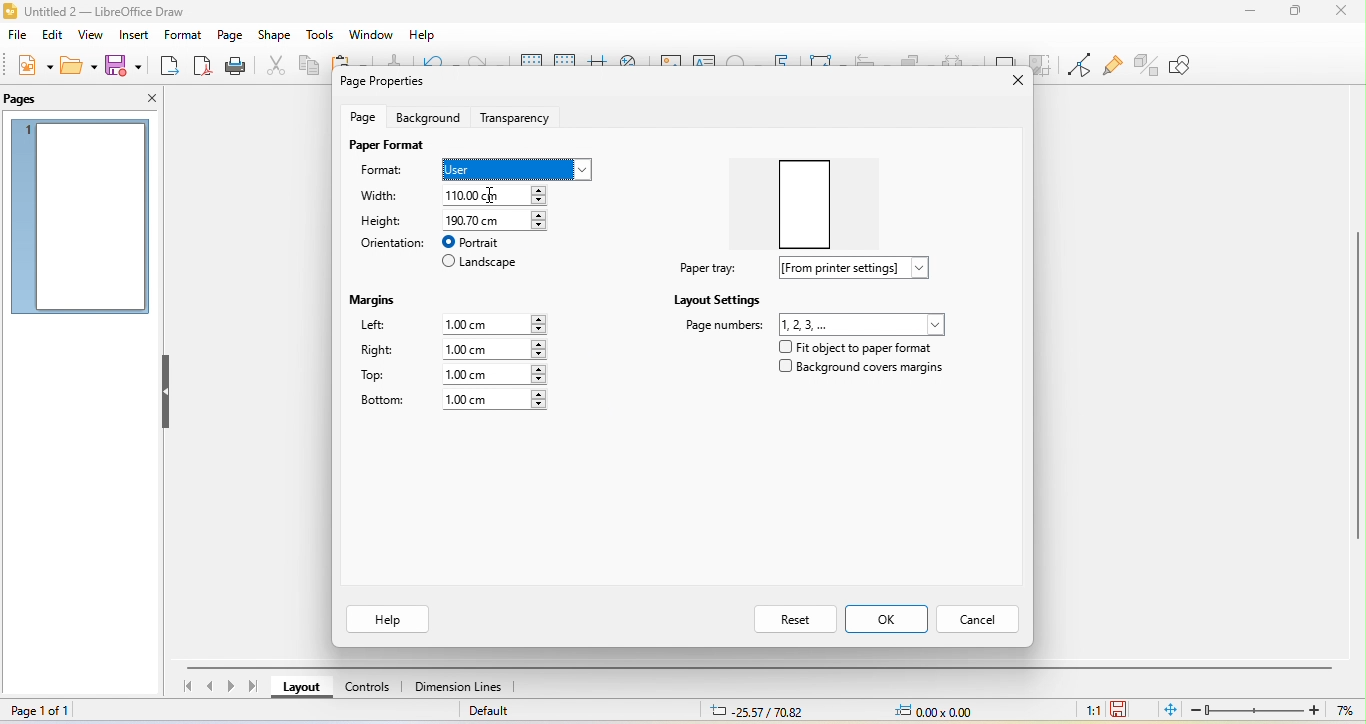 The image size is (1366, 724). Describe the element at coordinates (1147, 63) in the screenshot. I see `toggle extrusion` at that location.